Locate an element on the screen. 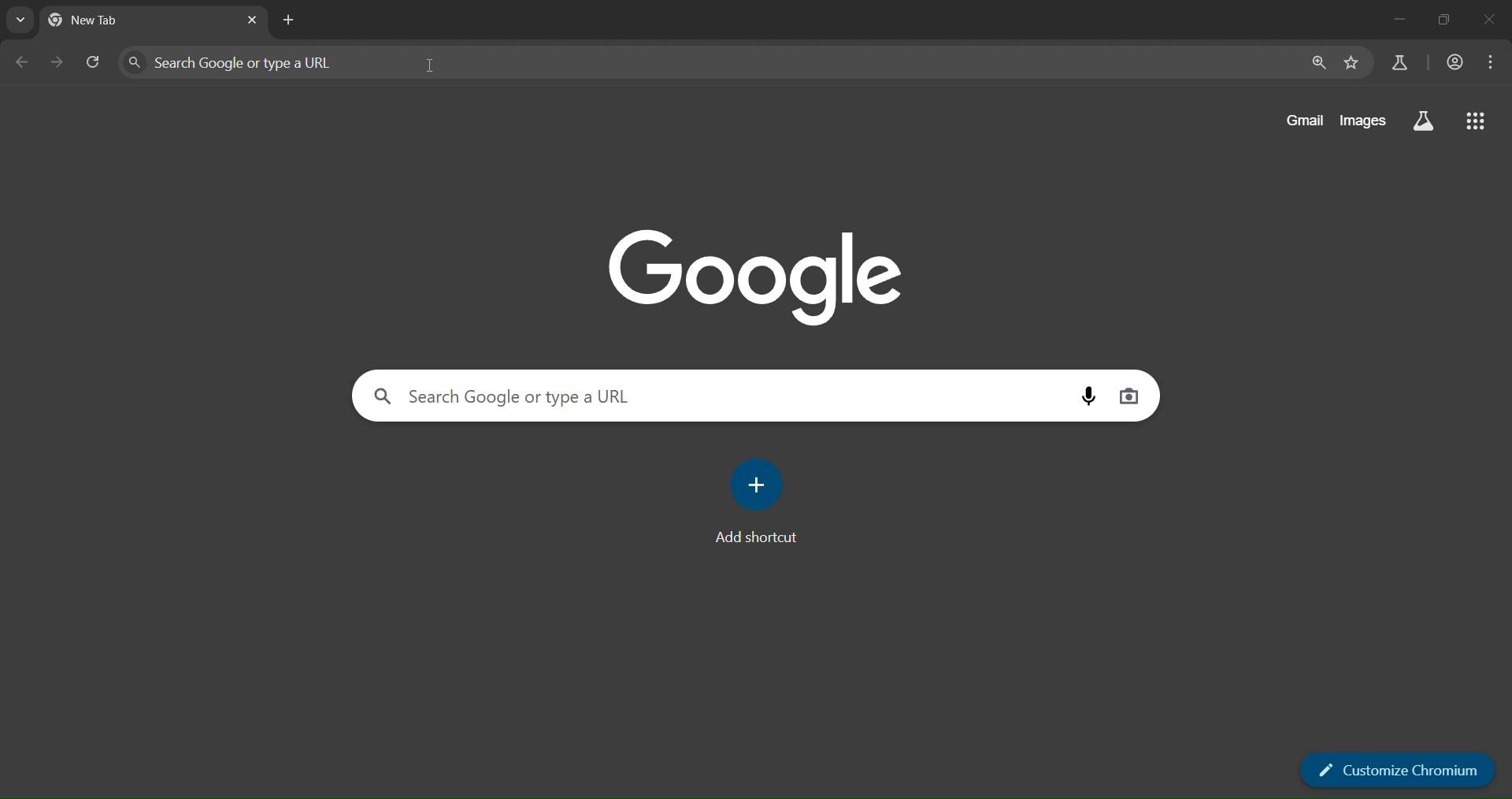 The height and width of the screenshot is (799, 1512). new tab is located at coordinates (291, 20).